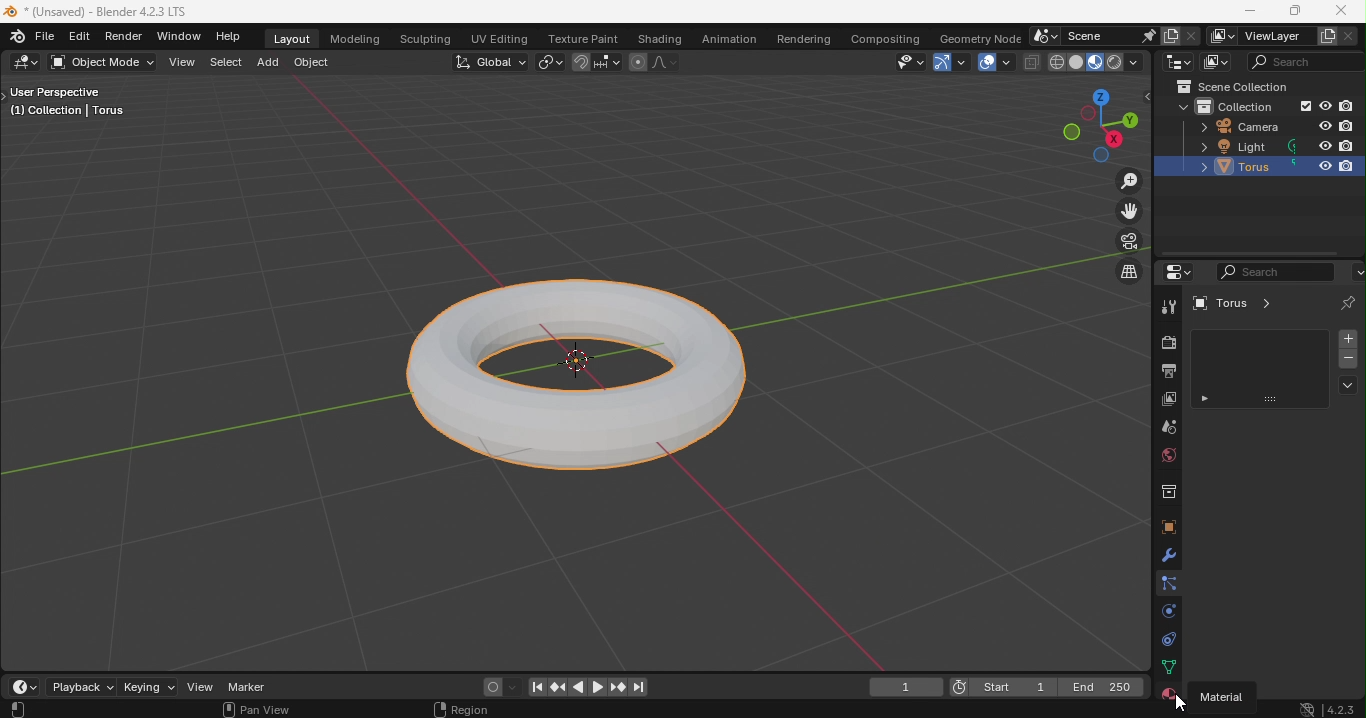 The width and height of the screenshot is (1366, 718). What do you see at coordinates (1302, 708) in the screenshot?
I see `System update` at bounding box center [1302, 708].